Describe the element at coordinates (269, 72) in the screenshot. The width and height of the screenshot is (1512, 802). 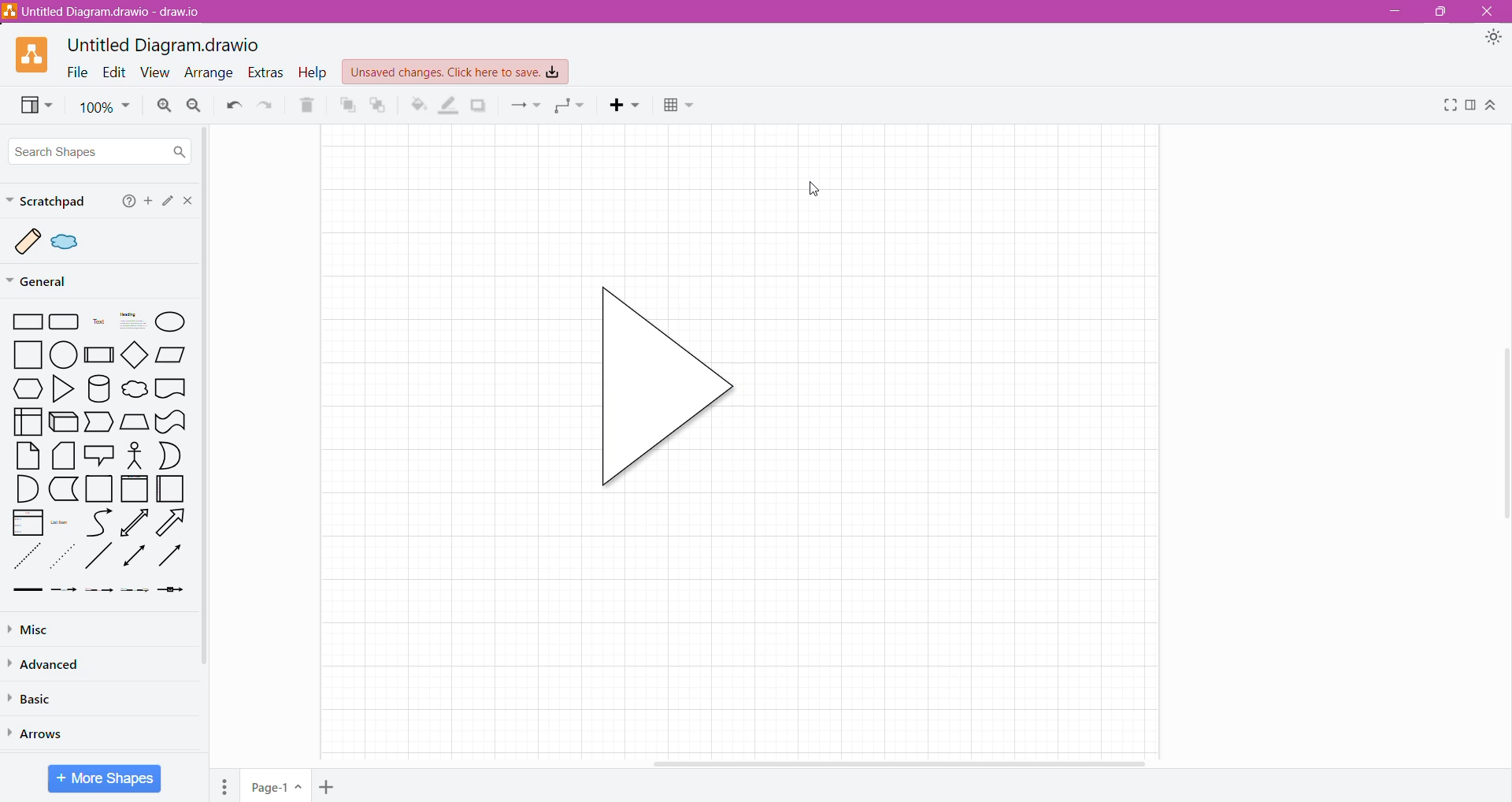
I see `Extras` at that location.